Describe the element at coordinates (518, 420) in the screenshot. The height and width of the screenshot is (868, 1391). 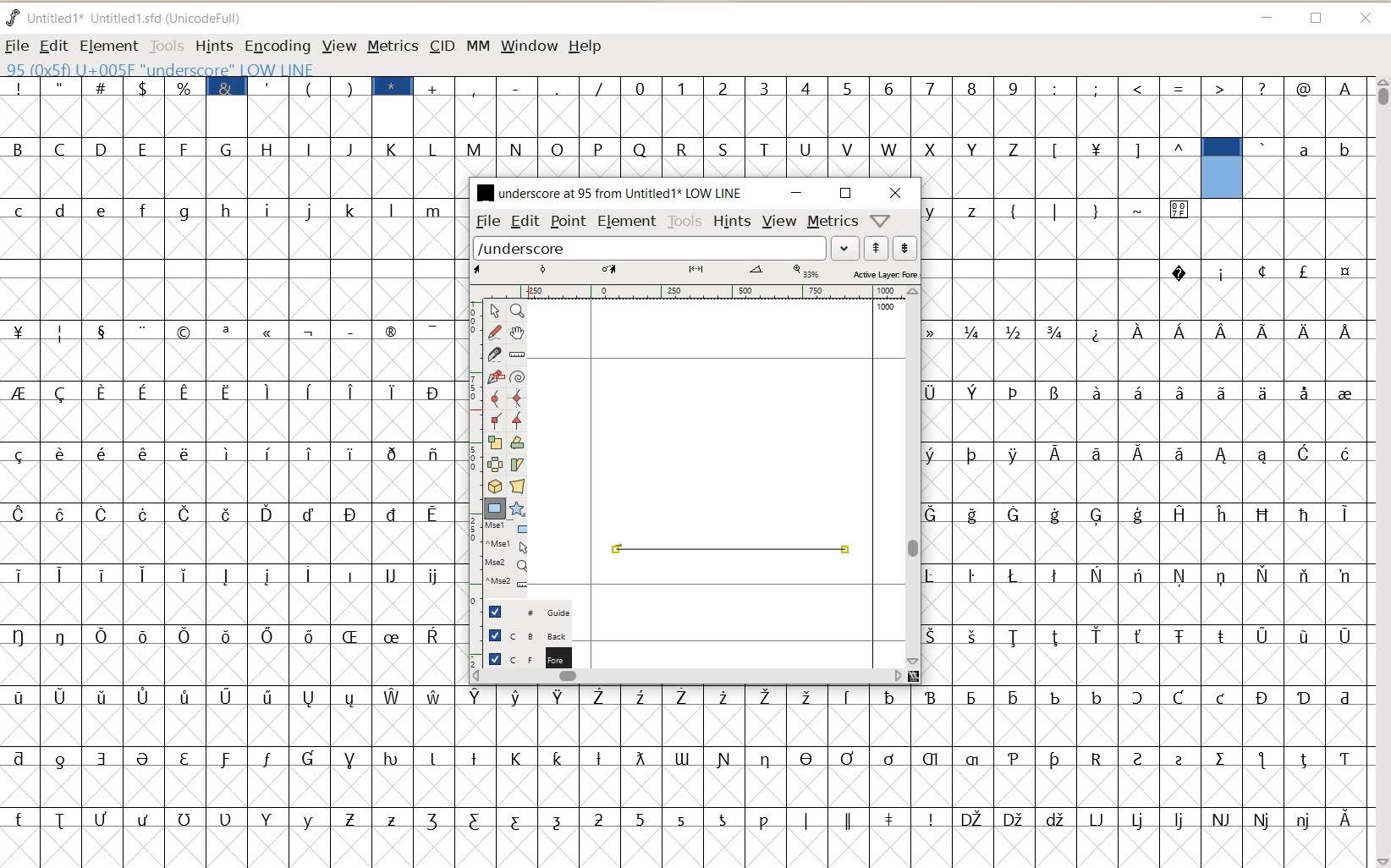
I see `Add a corner point` at that location.